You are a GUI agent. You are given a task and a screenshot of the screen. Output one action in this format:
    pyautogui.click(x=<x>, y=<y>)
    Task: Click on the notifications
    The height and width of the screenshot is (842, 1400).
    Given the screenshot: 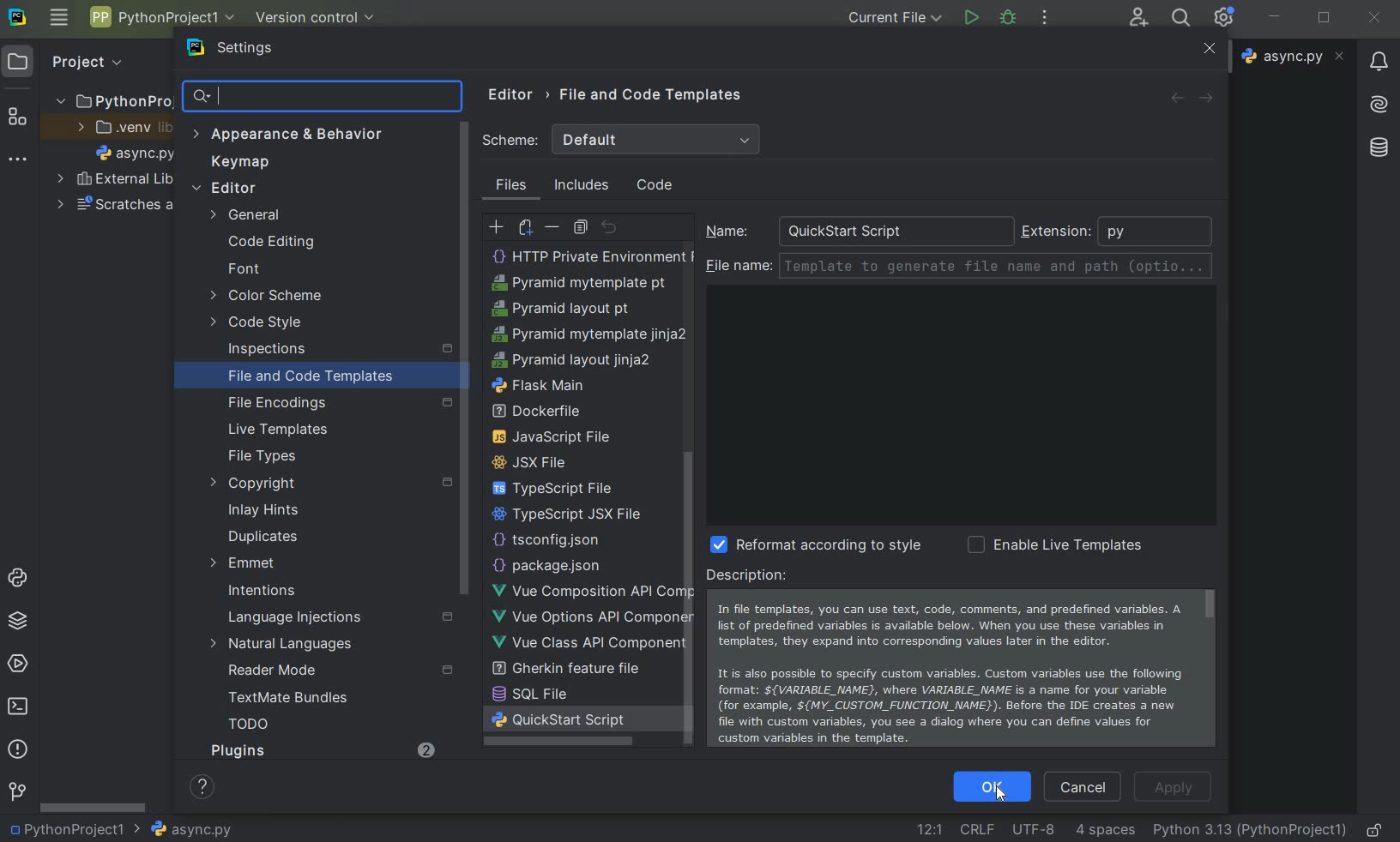 What is the action you would take?
    pyautogui.click(x=1375, y=62)
    